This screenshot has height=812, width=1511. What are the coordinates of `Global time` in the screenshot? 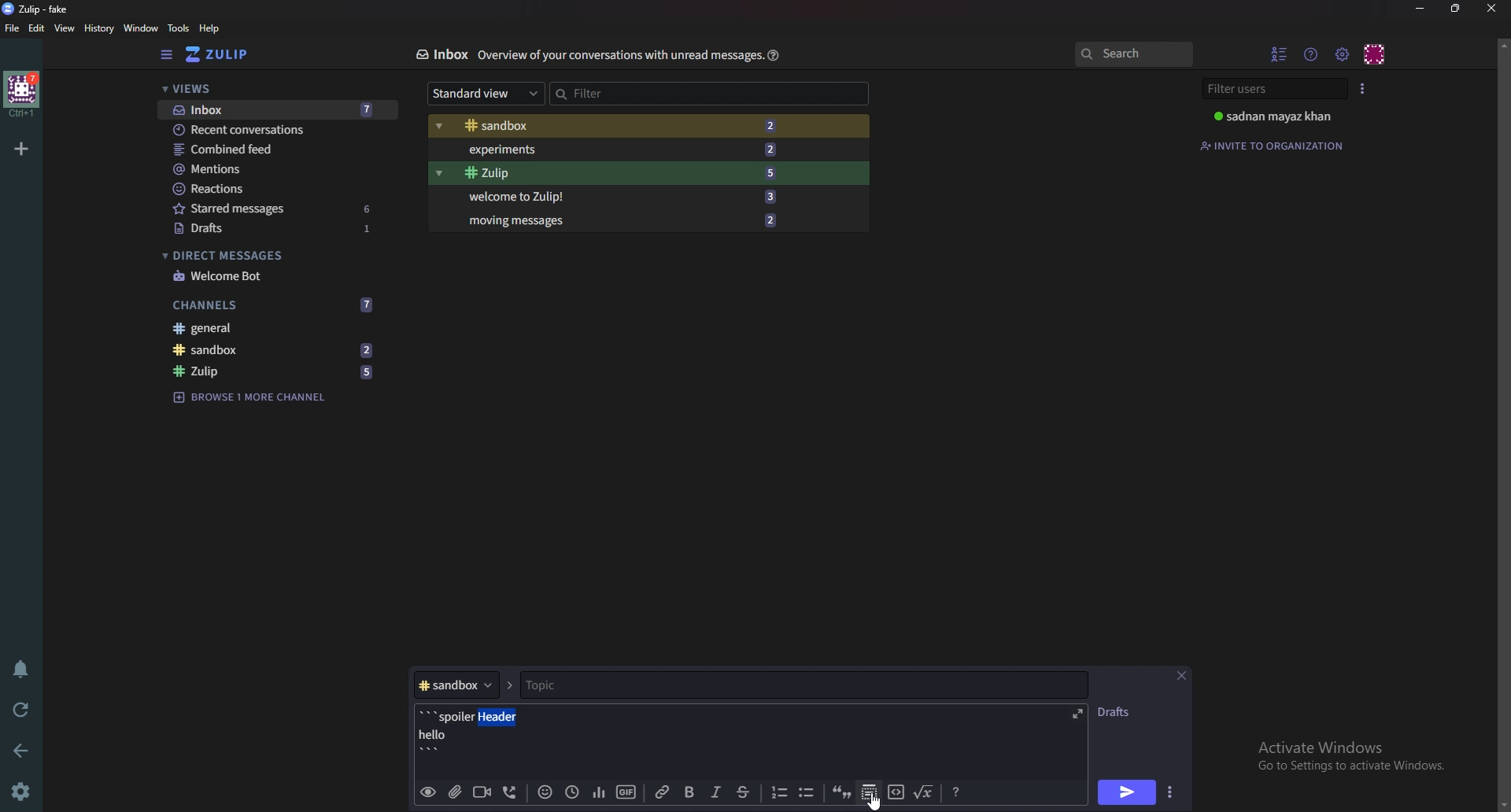 It's located at (572, 791).